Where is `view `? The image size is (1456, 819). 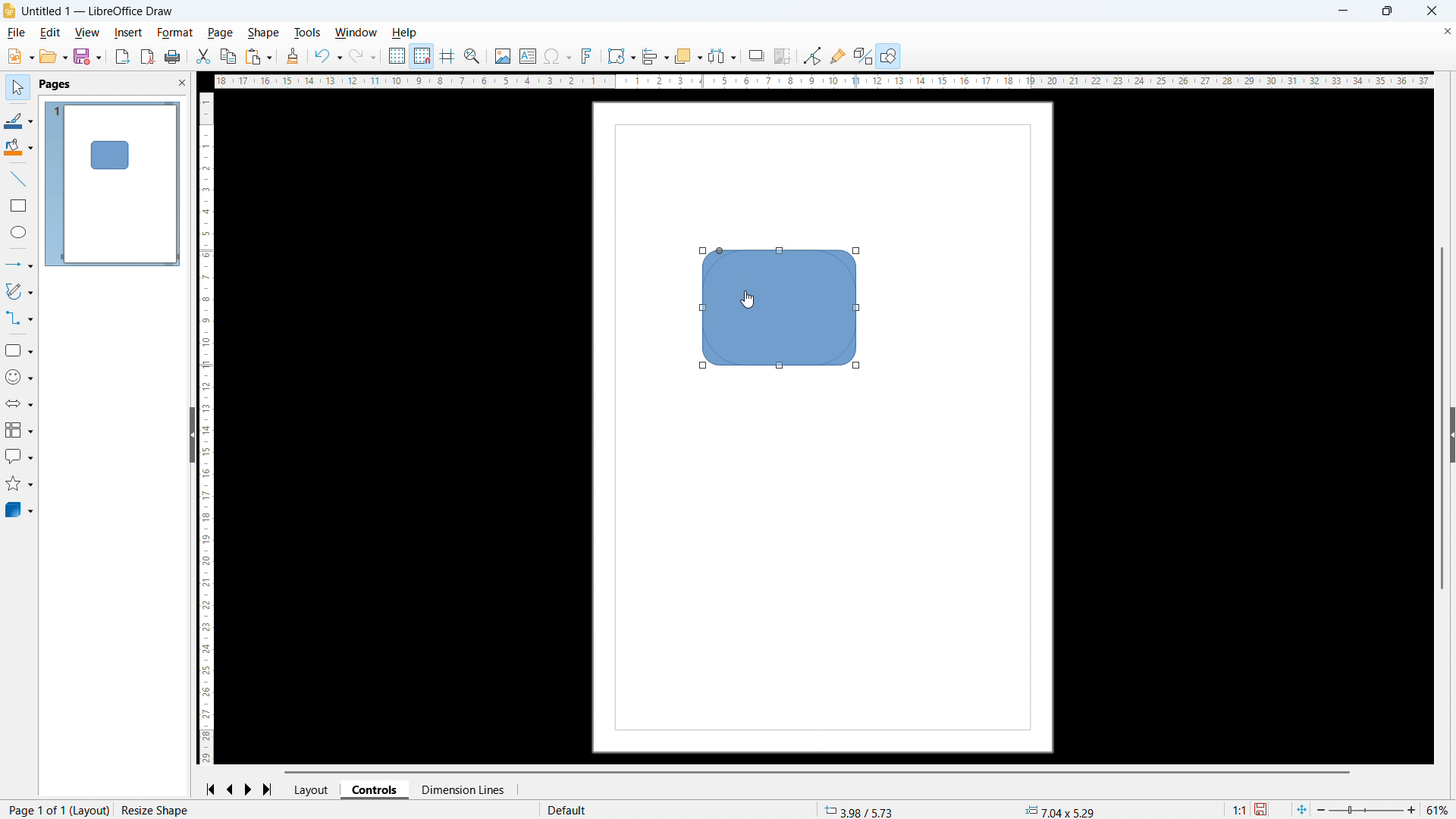 view  is located at coordinates (86, 33).